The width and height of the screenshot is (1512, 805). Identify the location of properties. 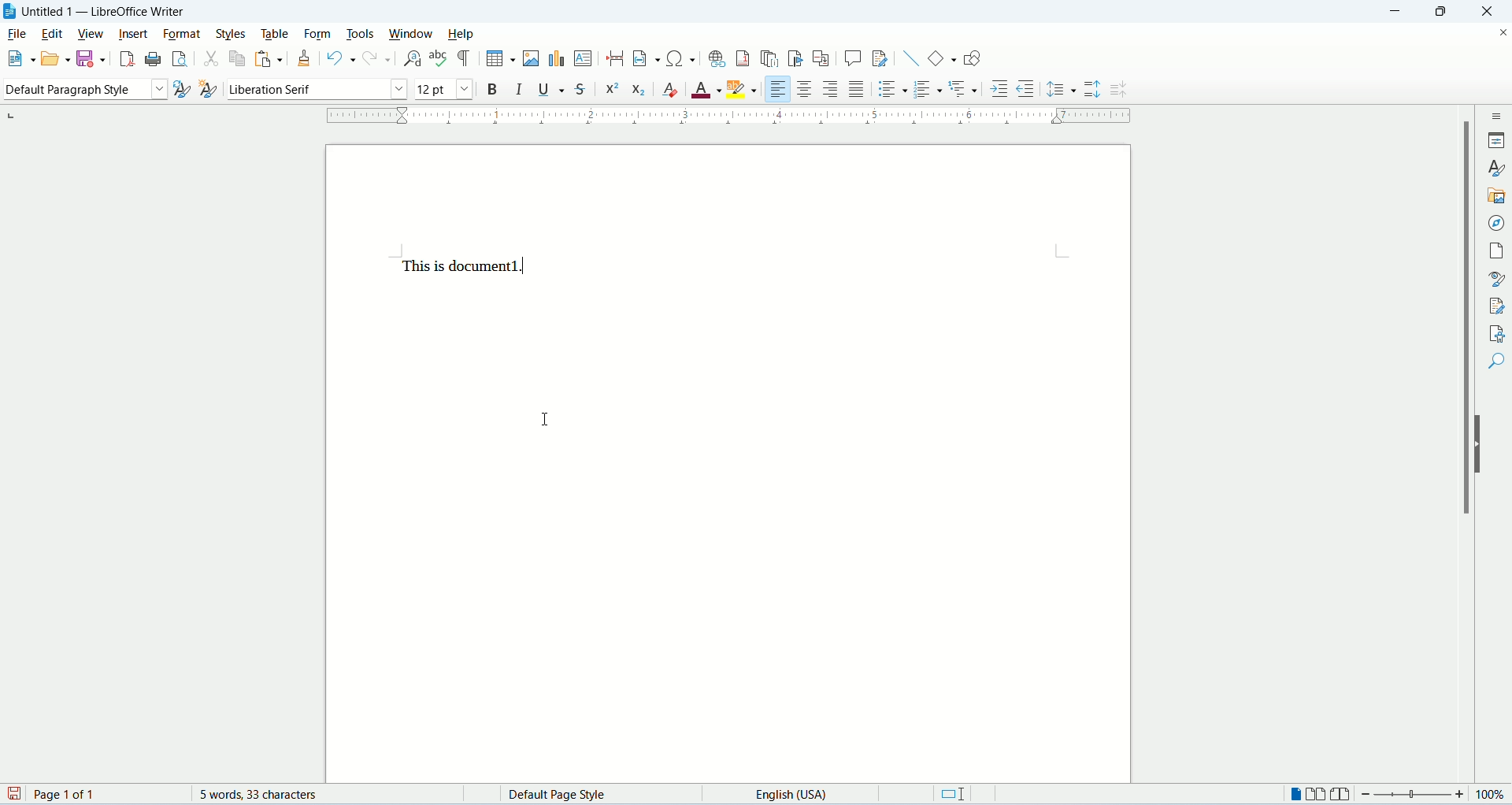
(1496, 140).